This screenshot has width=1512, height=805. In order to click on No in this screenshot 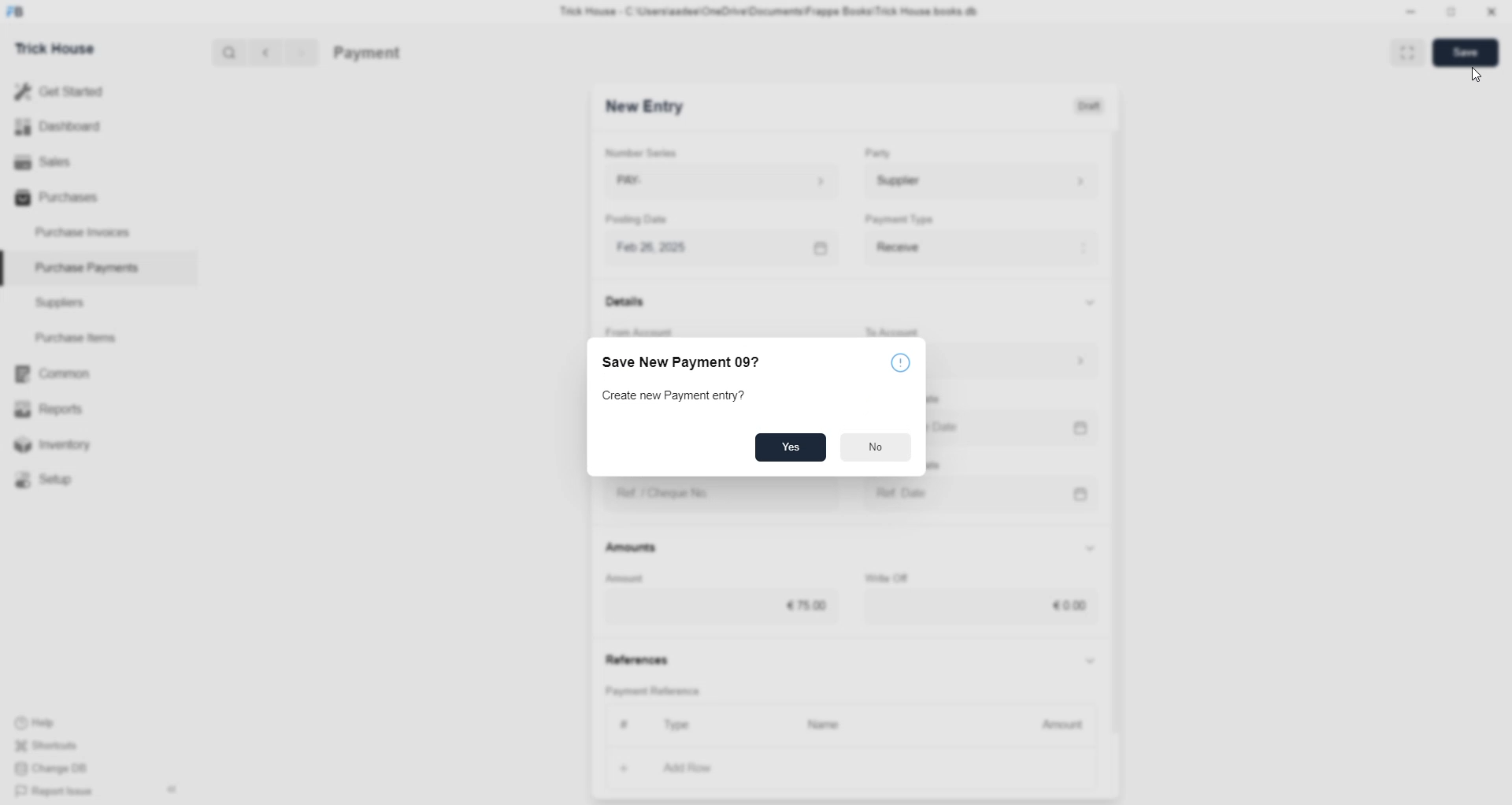, I will do `click(875, 448)`.